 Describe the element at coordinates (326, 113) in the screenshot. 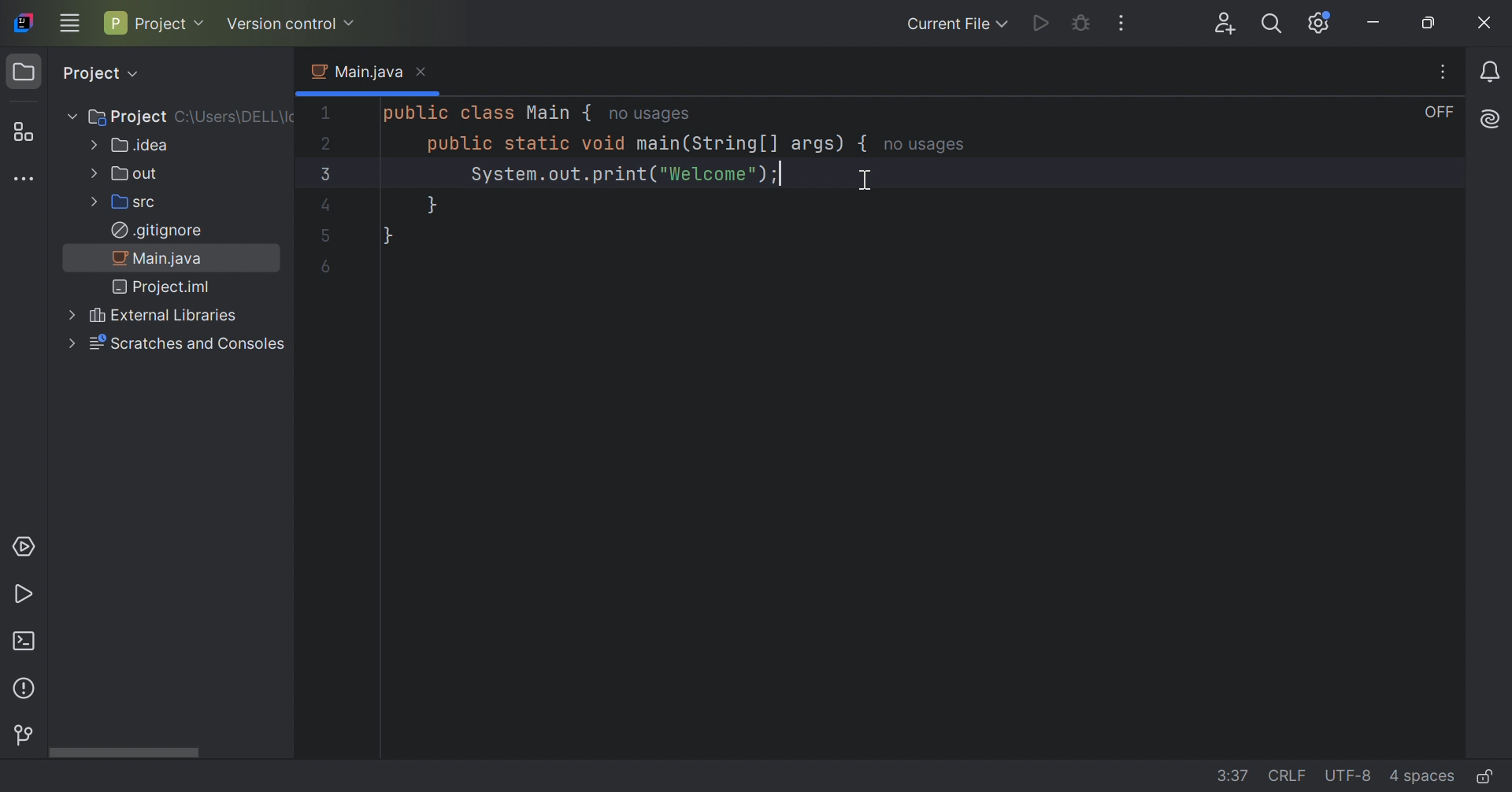

I see `1` at that location.